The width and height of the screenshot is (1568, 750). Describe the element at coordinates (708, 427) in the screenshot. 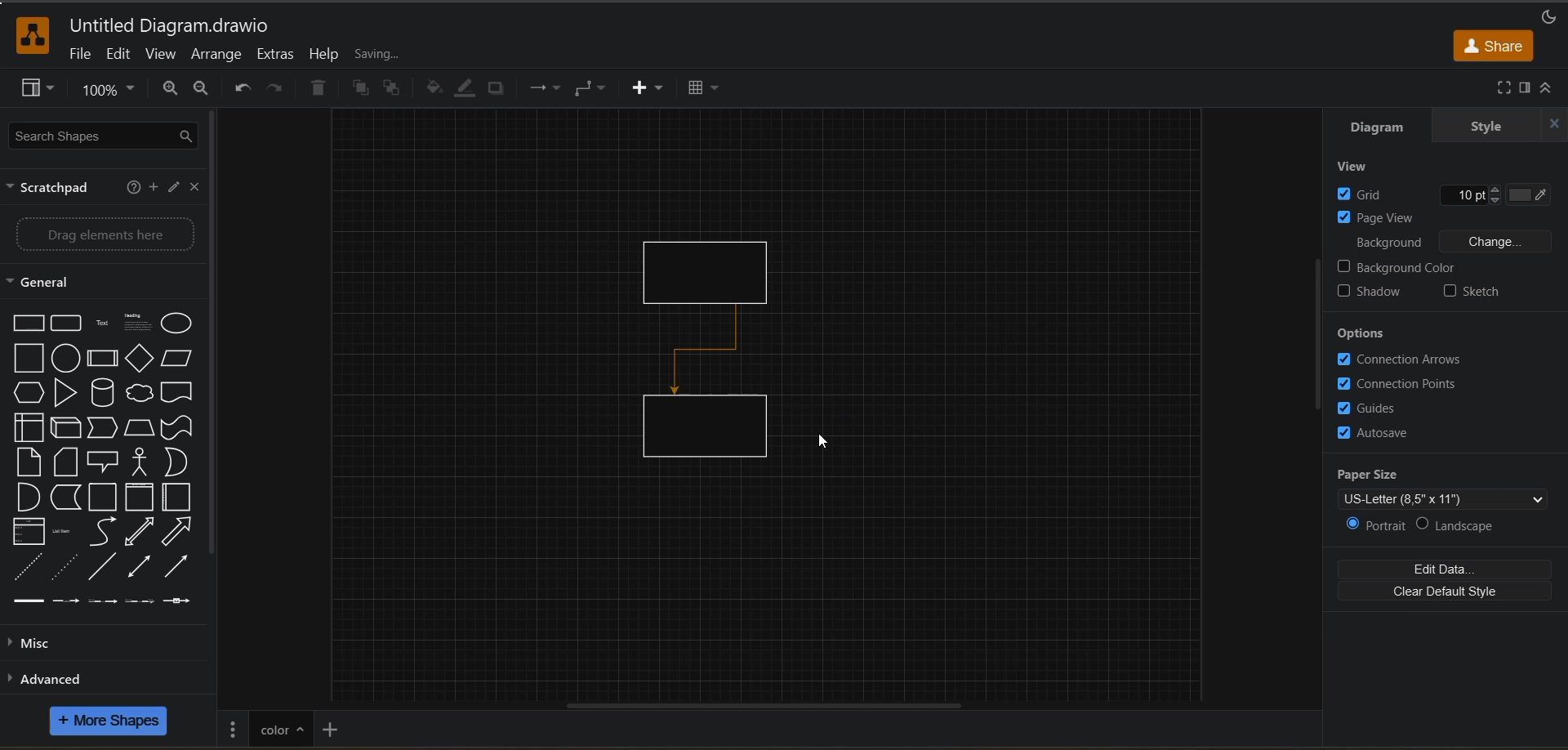

I see `rectangle` at that location.